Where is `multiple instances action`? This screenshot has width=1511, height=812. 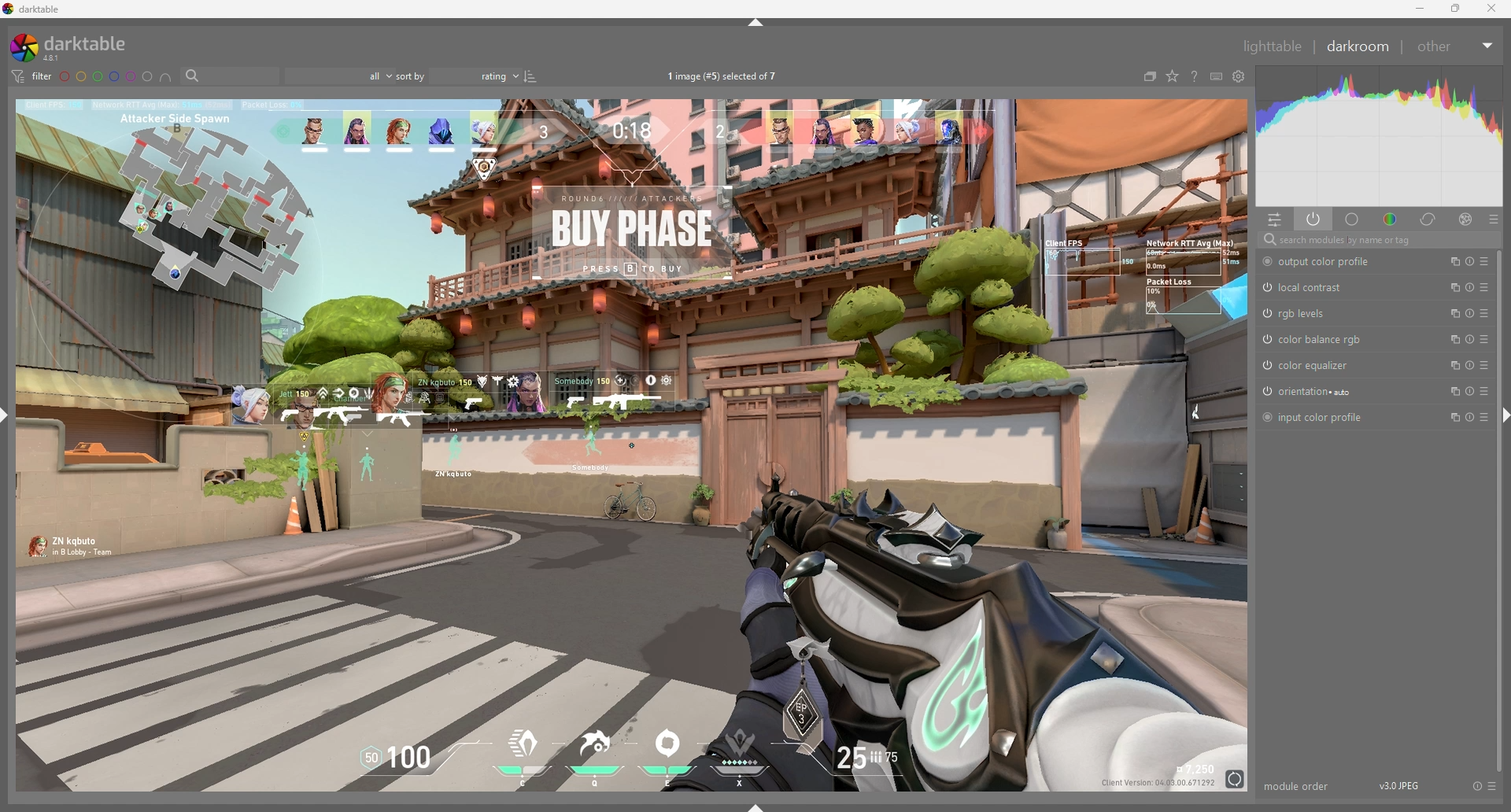 multiple instances action is located at coordinates (1454, 313).